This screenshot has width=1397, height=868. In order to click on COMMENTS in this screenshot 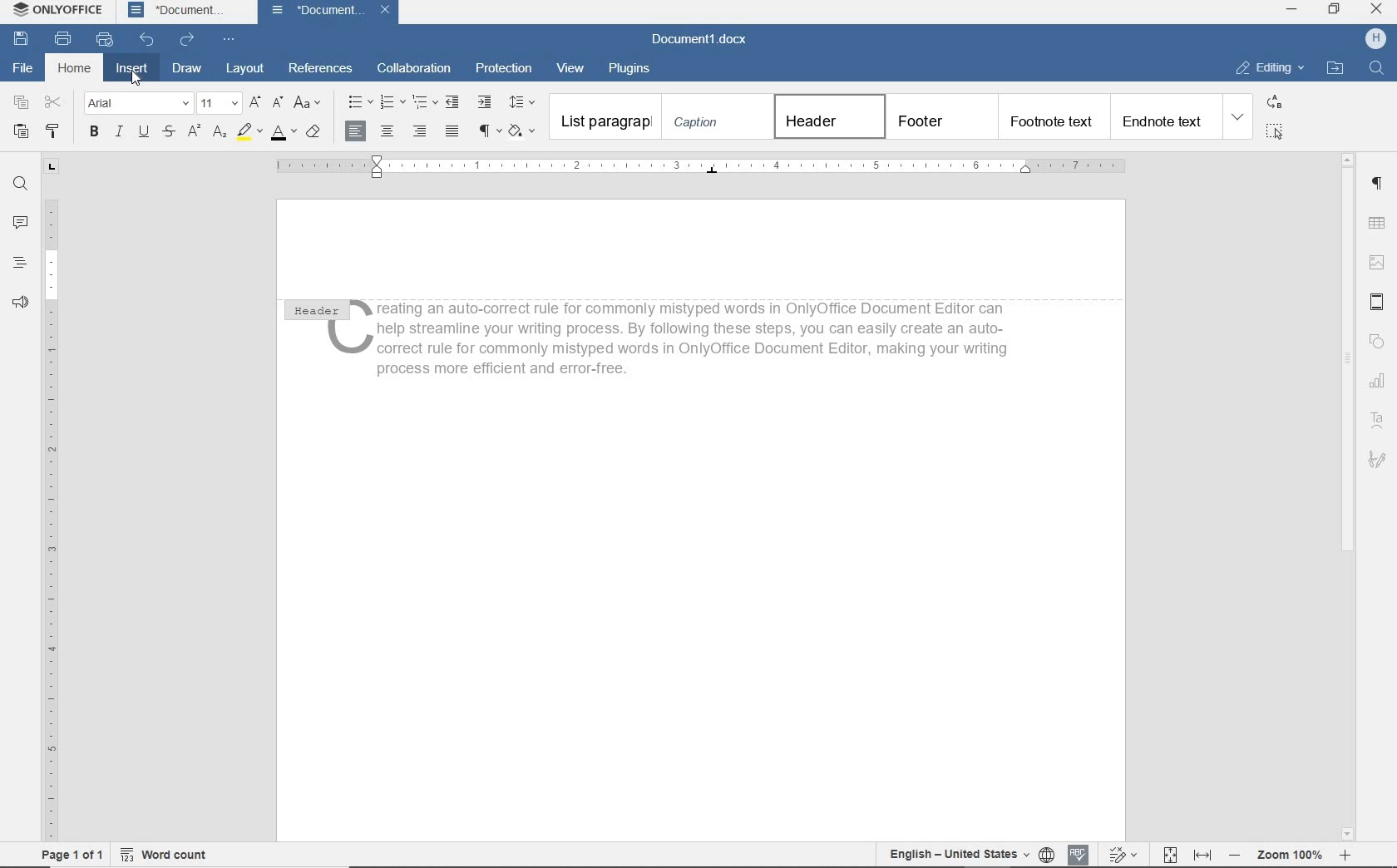, I will do `click(19, 221)`.